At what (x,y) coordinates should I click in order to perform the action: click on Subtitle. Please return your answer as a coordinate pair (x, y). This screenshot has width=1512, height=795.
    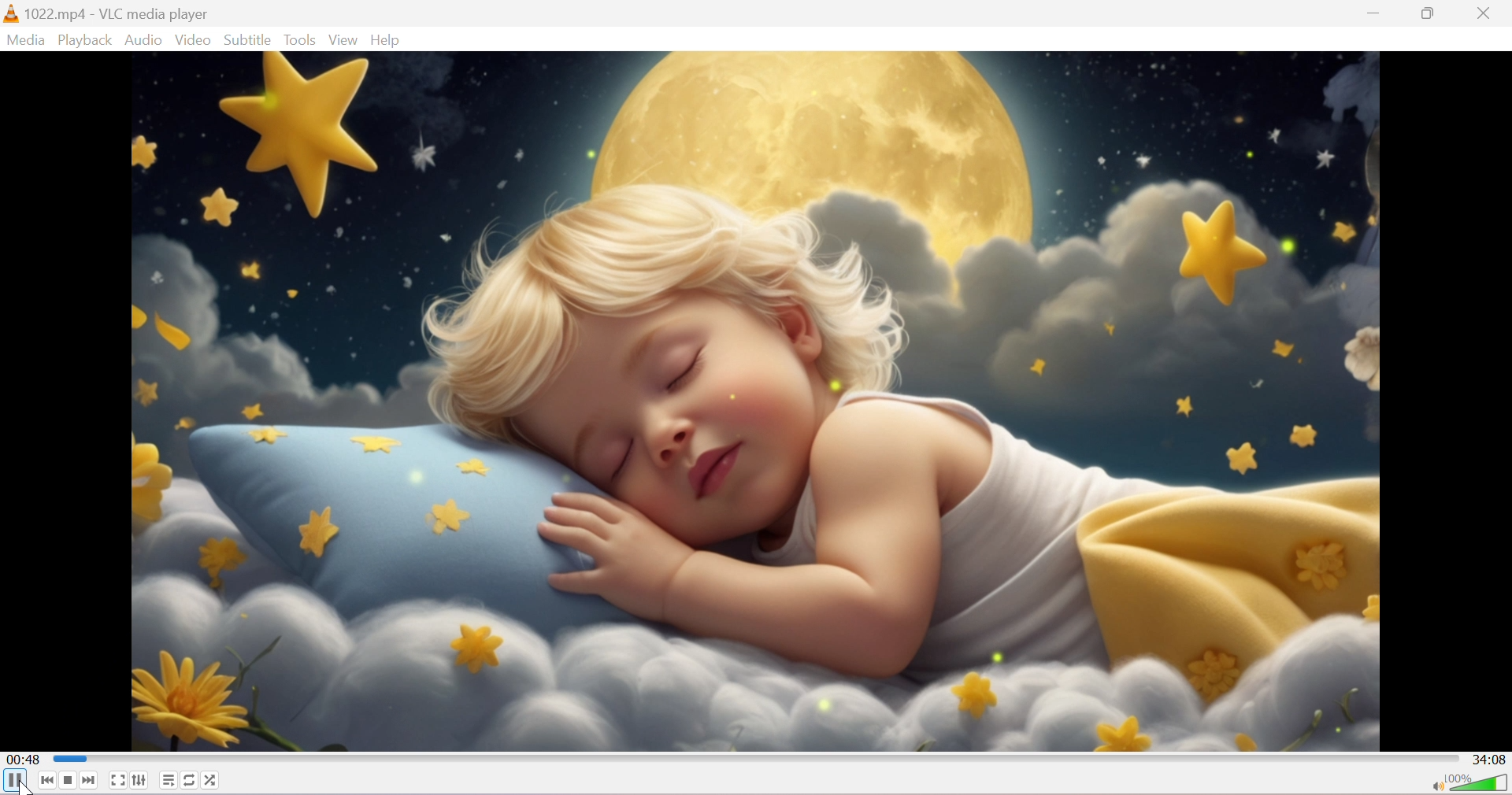
    Looking at the image, I should click on (247, 41).